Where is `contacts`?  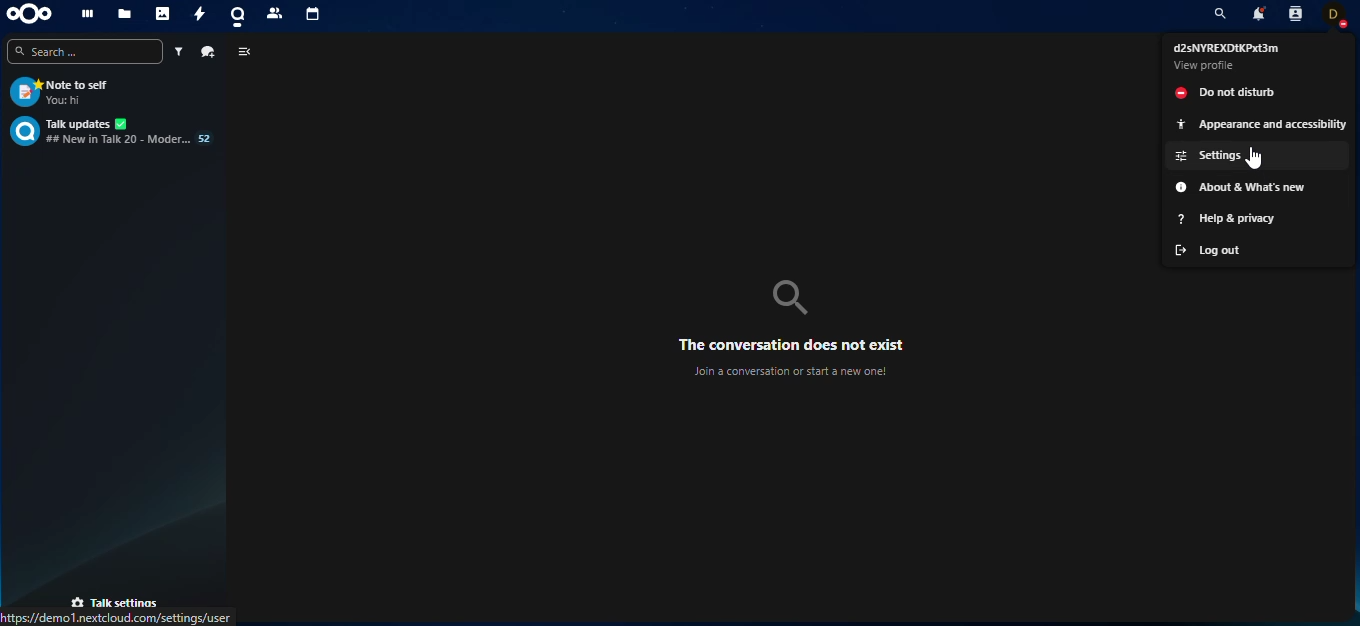 contacts is located at coordinates (274, 15).